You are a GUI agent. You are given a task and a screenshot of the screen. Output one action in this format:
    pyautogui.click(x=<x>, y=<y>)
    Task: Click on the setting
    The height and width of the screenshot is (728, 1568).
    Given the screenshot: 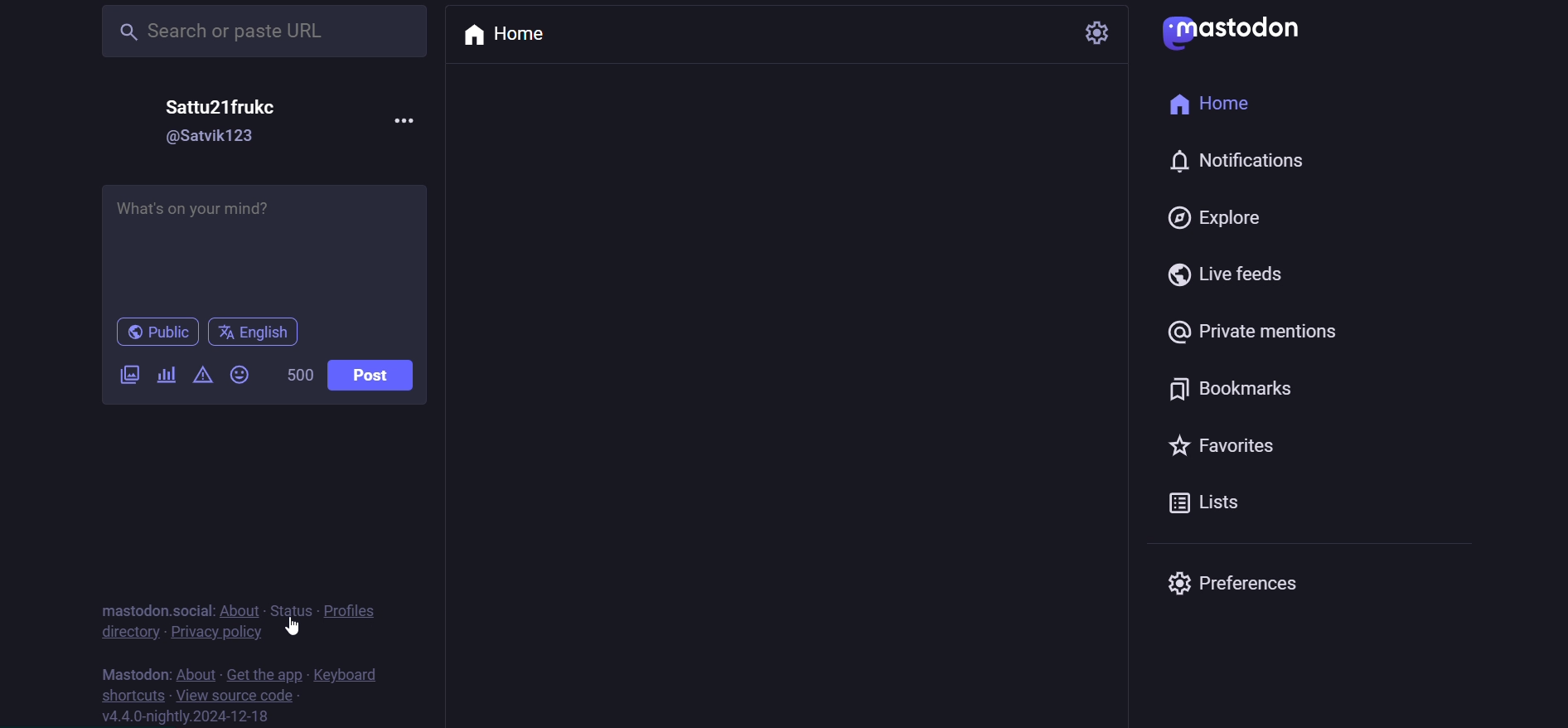 What is the action you would take?
    pyautogui.click(x=1105, y=32)
    